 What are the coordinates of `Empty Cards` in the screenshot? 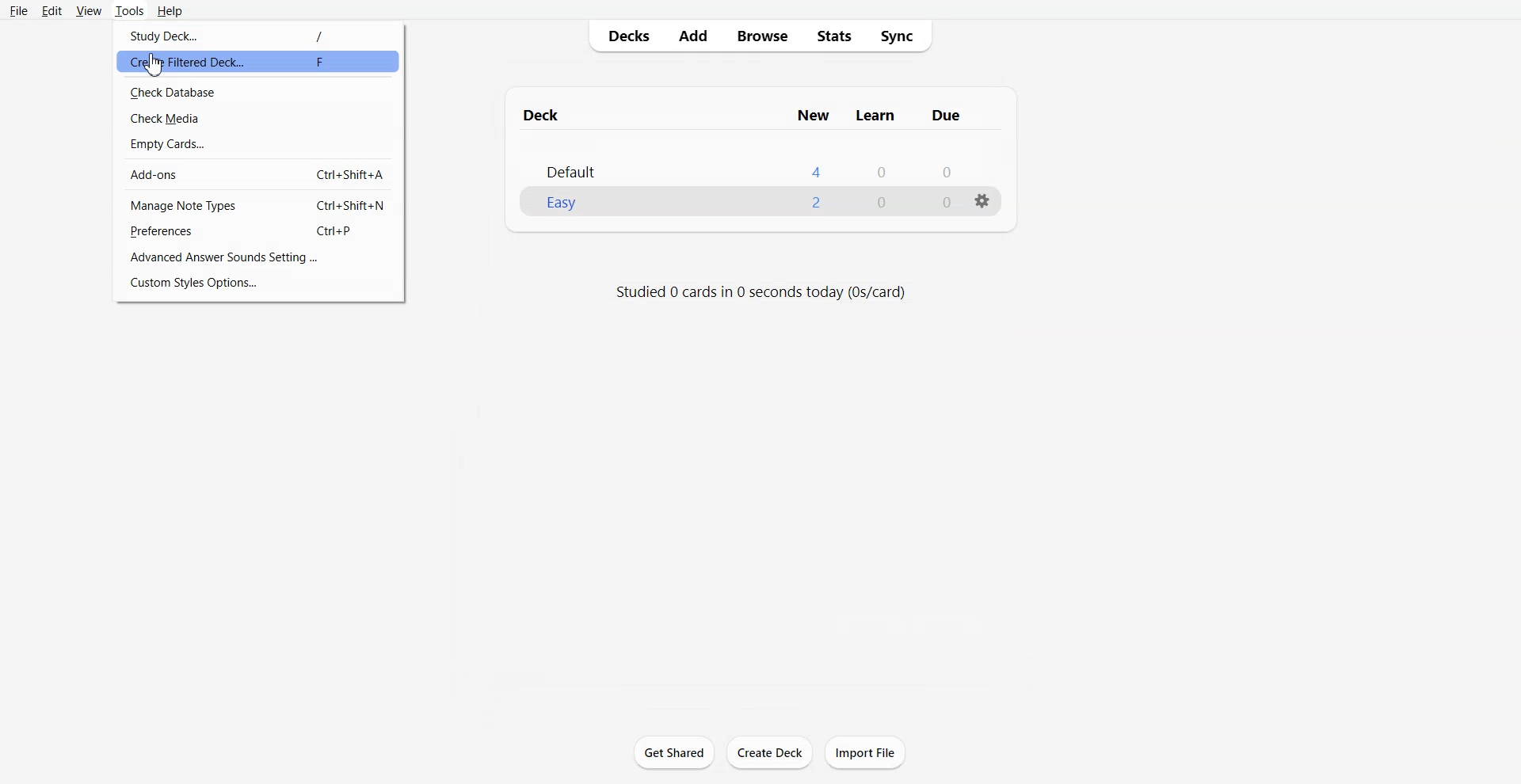 It's located at (259, 143).